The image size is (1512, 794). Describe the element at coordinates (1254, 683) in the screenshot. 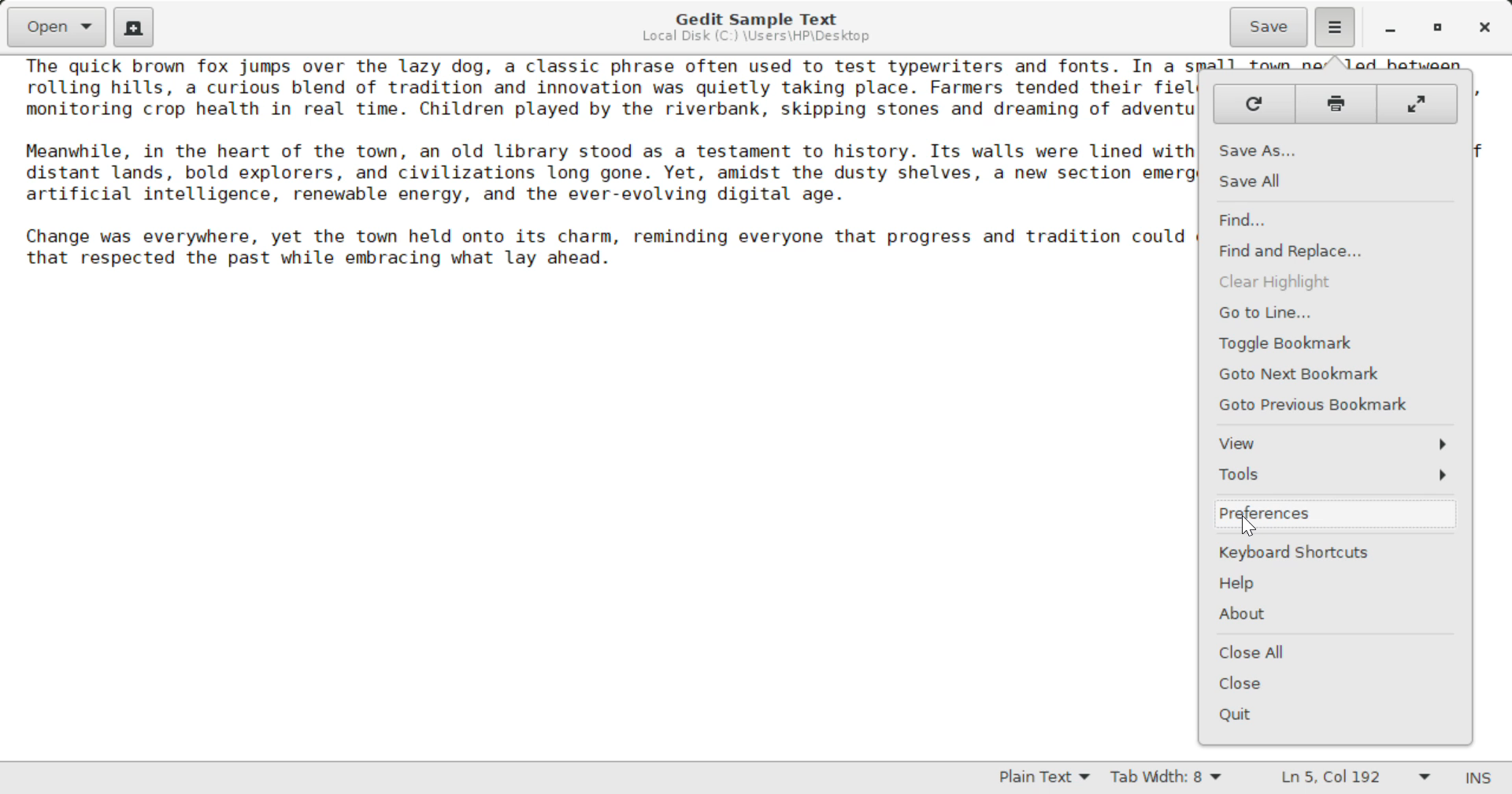

I see `Close` at that location.